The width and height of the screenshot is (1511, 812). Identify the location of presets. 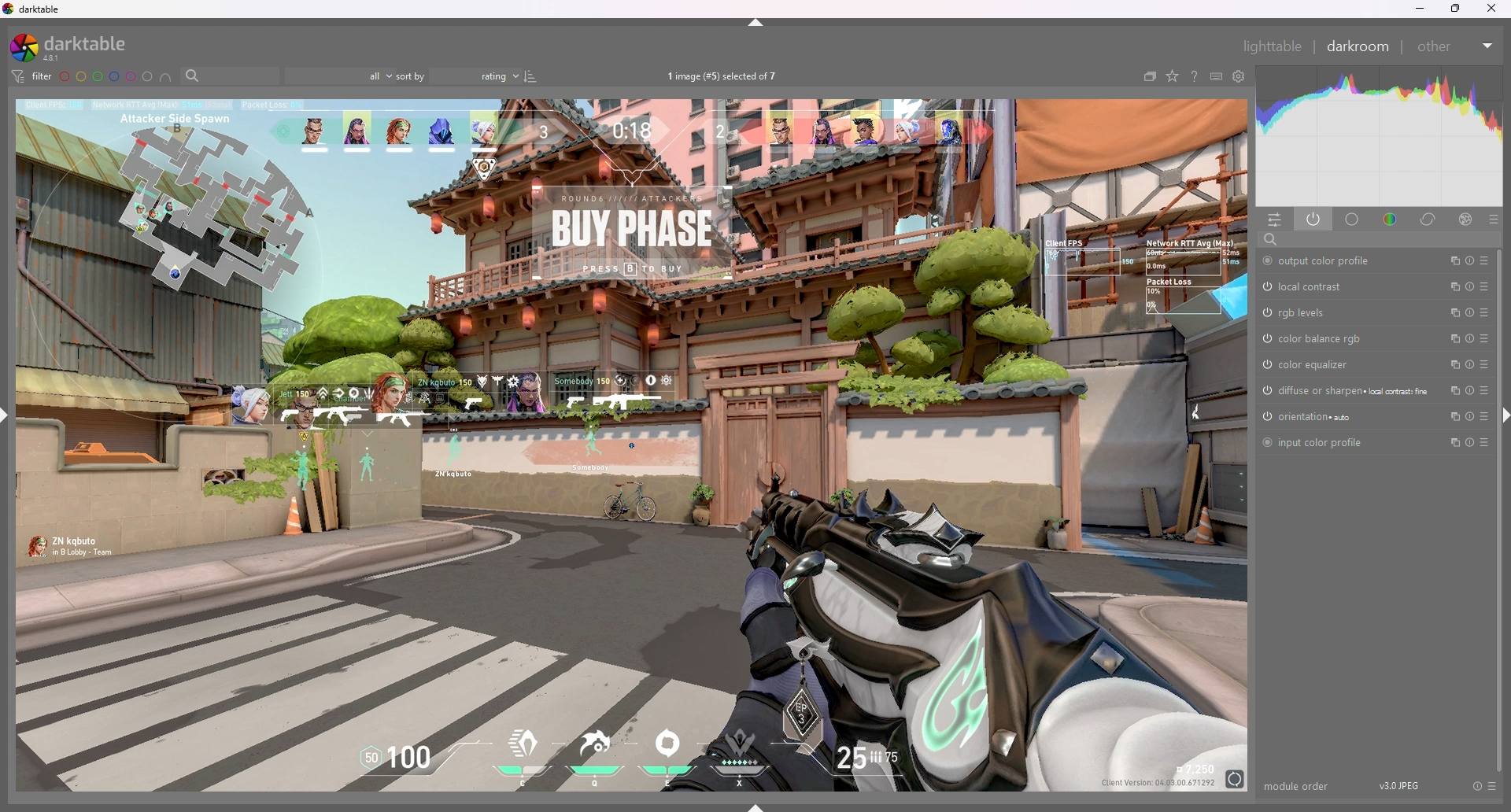
(1485, 441).